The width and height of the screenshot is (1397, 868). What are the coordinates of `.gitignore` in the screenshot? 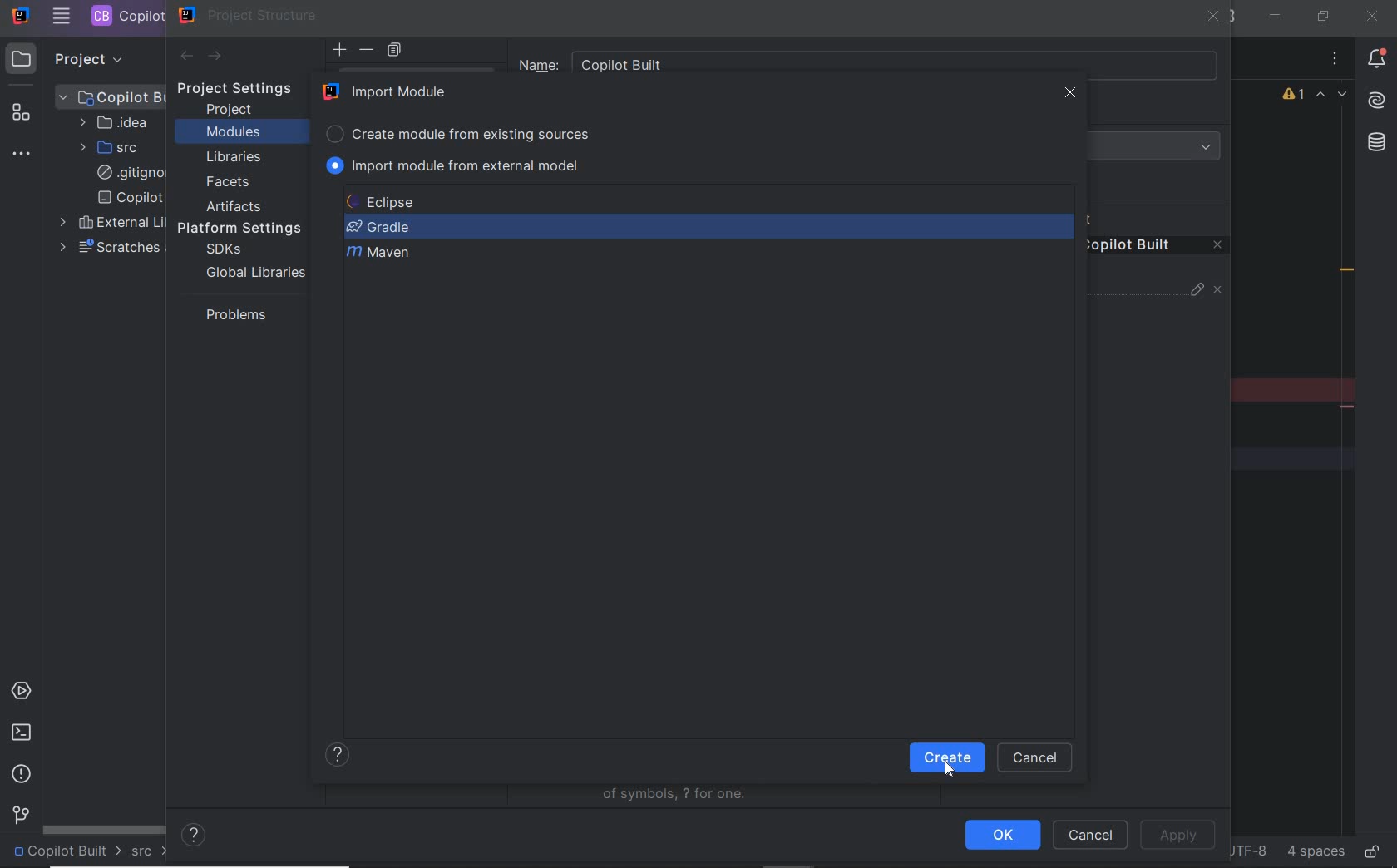 It's located at (127, 174).